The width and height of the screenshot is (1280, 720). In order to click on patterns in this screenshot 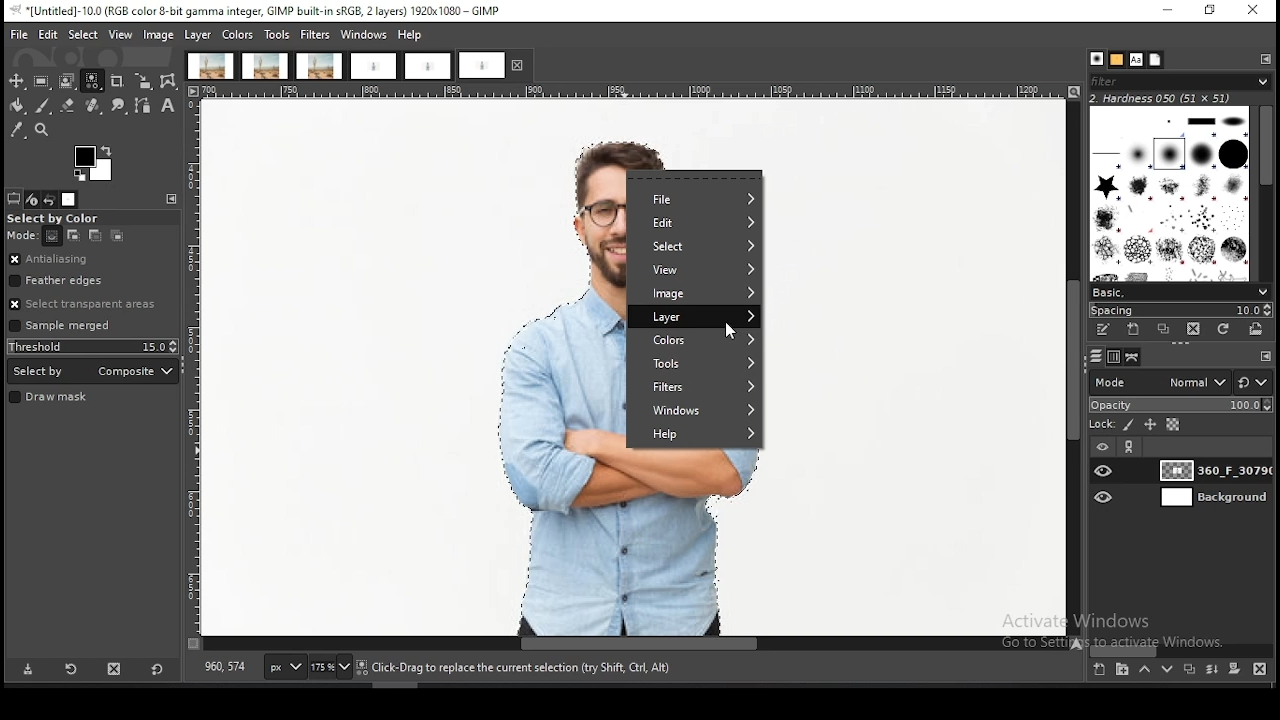, I will do `click(1118, 60)`.